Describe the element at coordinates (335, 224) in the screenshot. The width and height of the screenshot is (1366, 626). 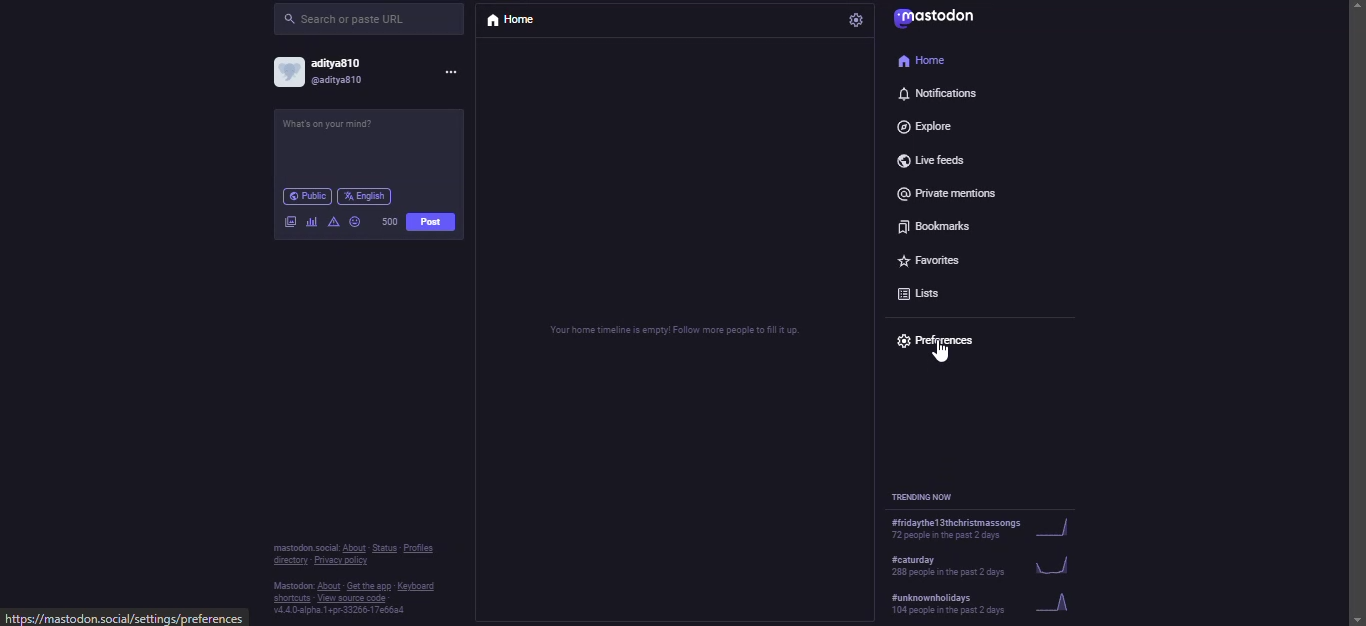
I see `advanced` at that location.